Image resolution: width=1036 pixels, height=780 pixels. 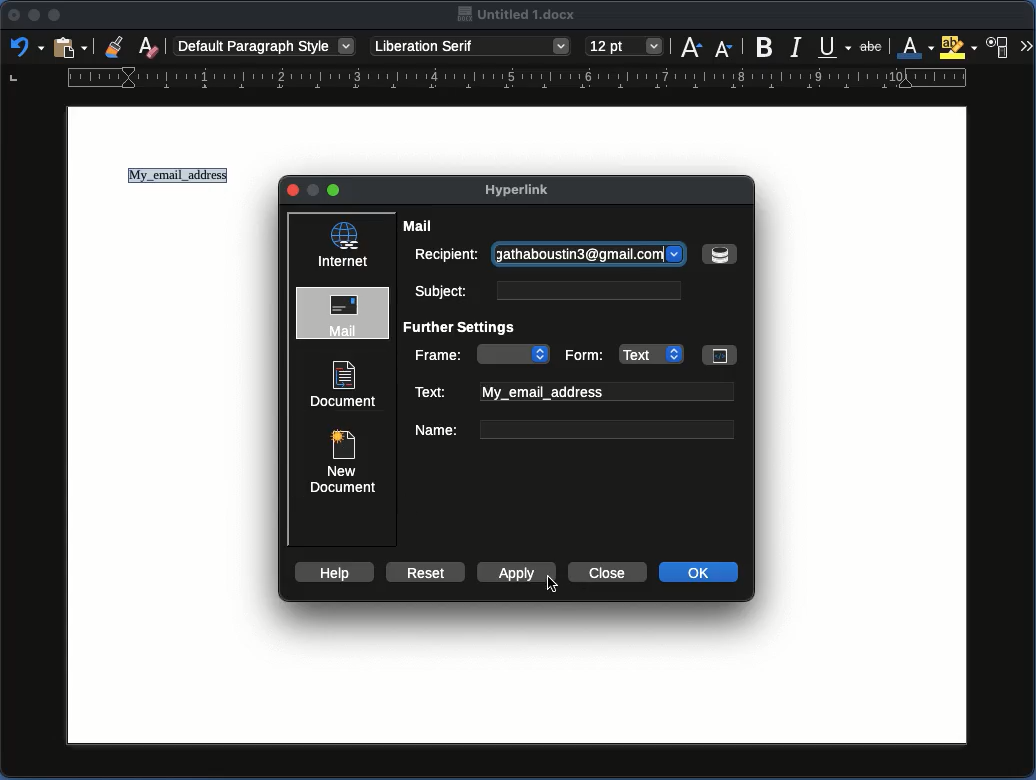 I want to click on Clone formatting, so click(x=115, y=46).